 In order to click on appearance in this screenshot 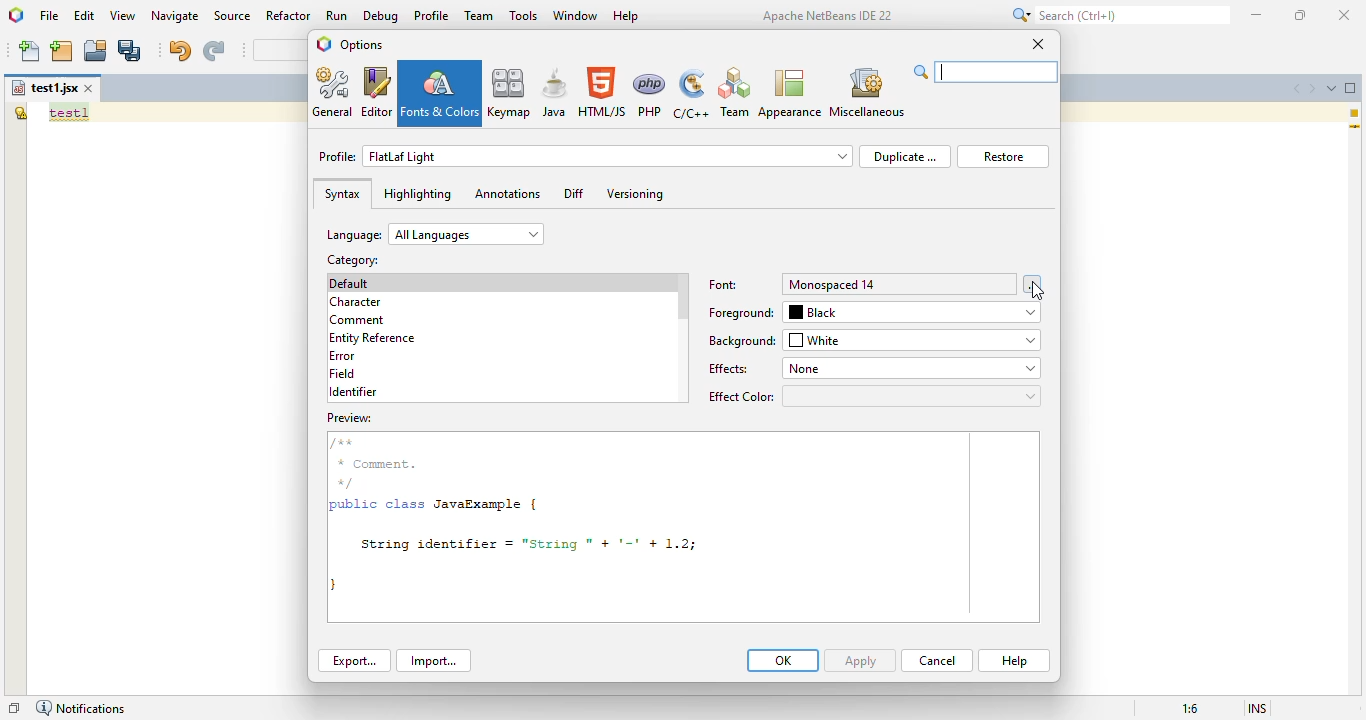, I will do `click(789, 93)`.